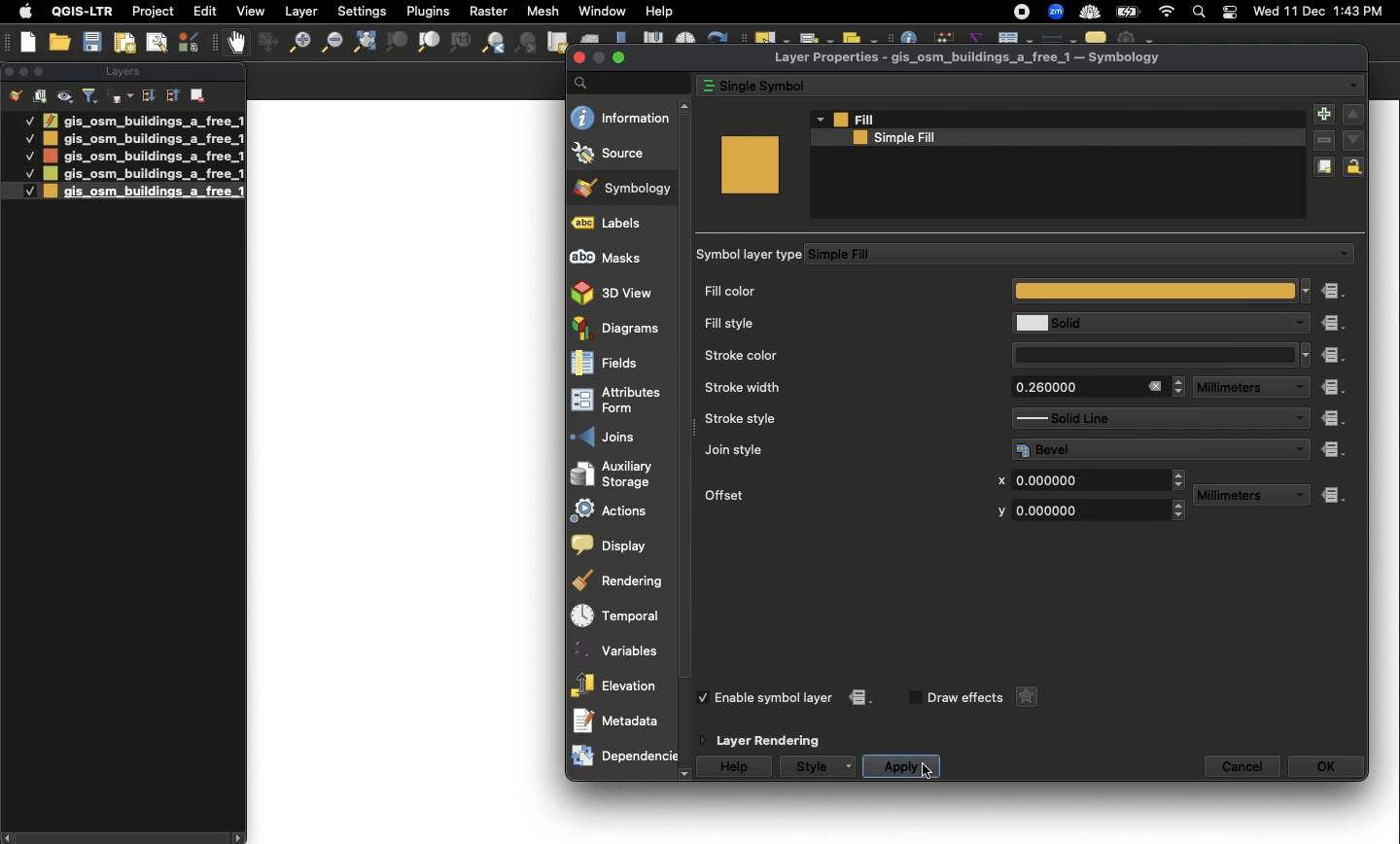  What do you see at coordinates (205, 11) in the screenshot?
I see `Edit` at bounding box center [205, 11].